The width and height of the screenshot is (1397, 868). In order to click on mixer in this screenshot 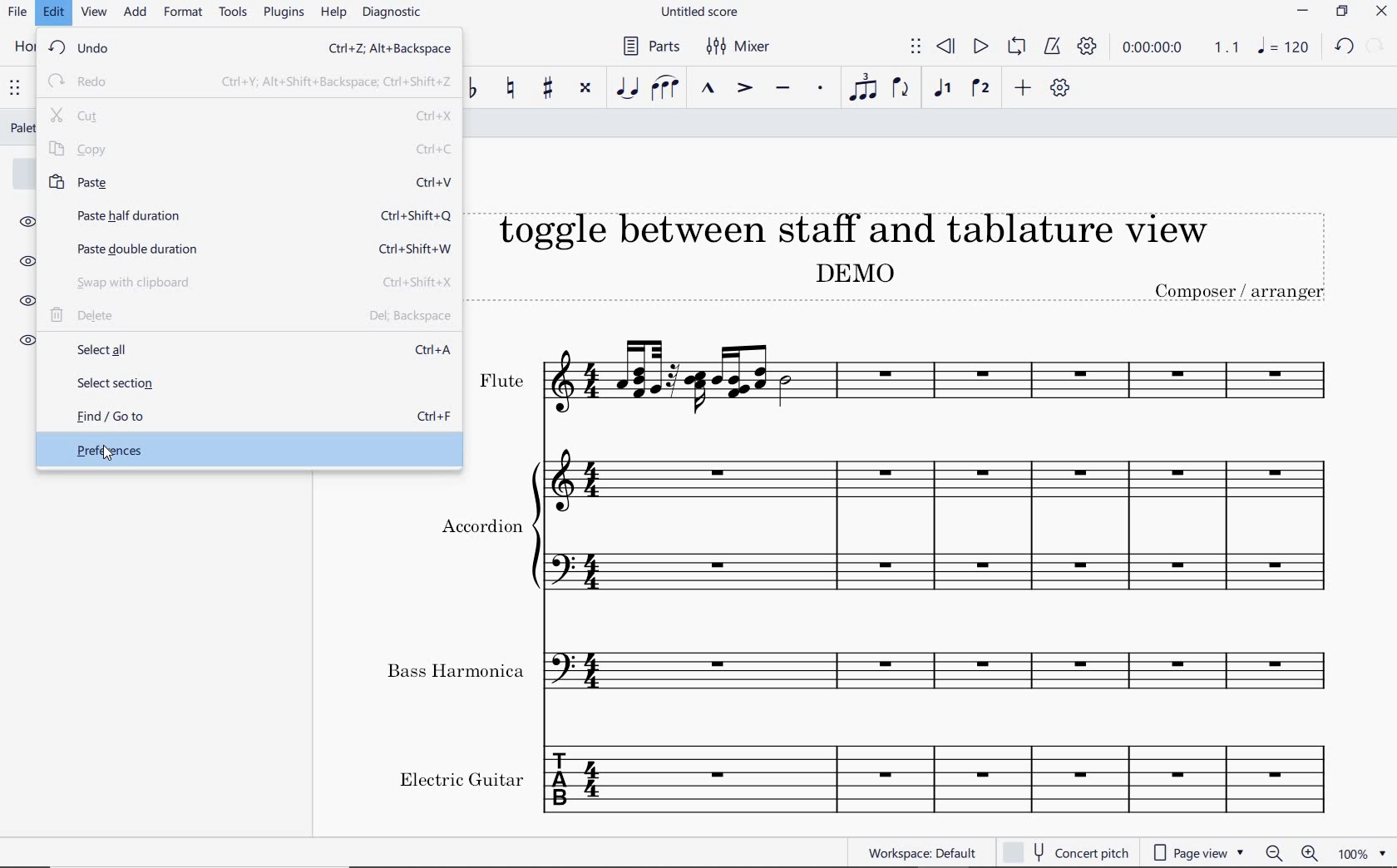, I will do `click(741, 48)`.